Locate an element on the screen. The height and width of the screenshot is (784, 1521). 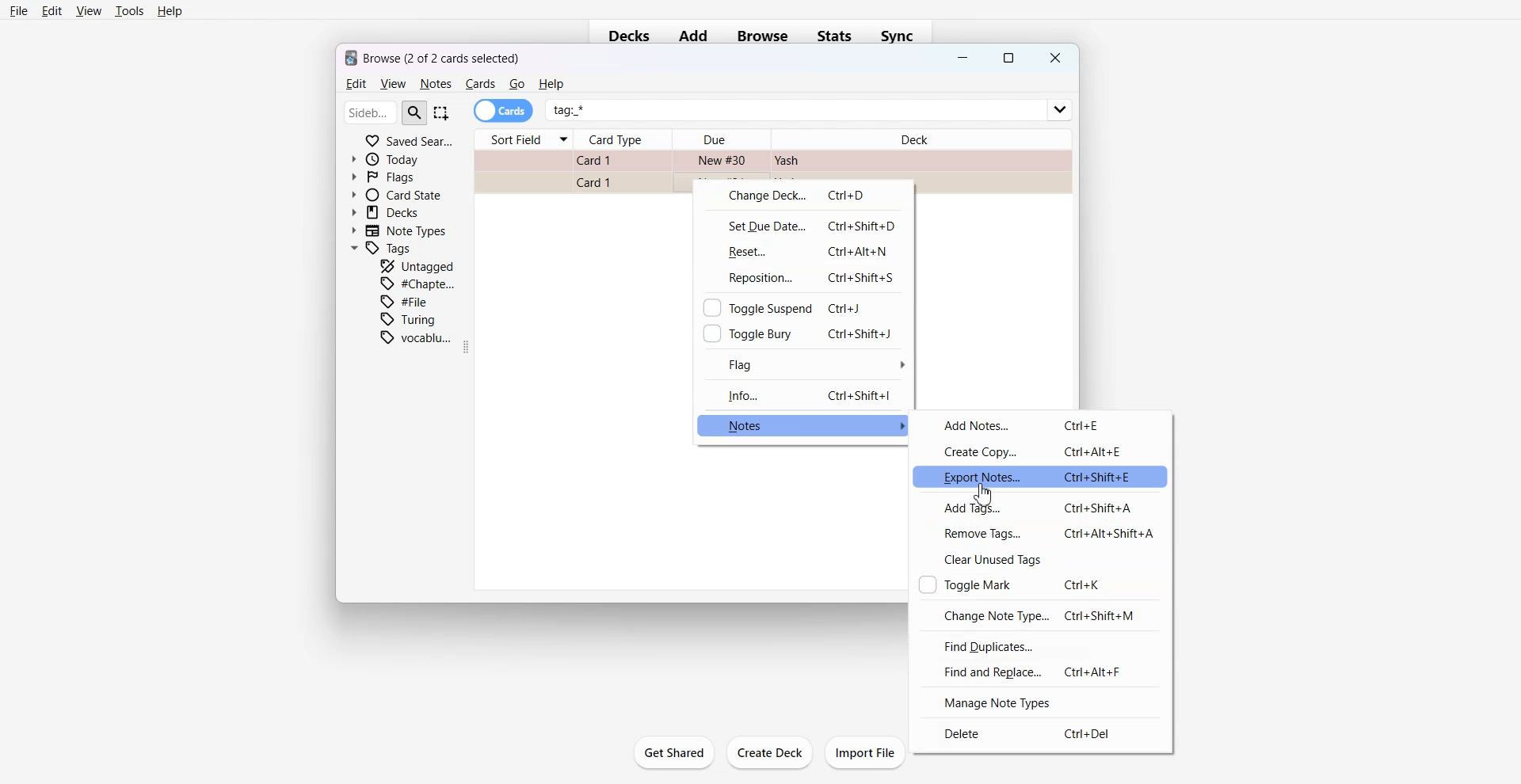
Find Duplicates is located at coordinates (1039, 645).